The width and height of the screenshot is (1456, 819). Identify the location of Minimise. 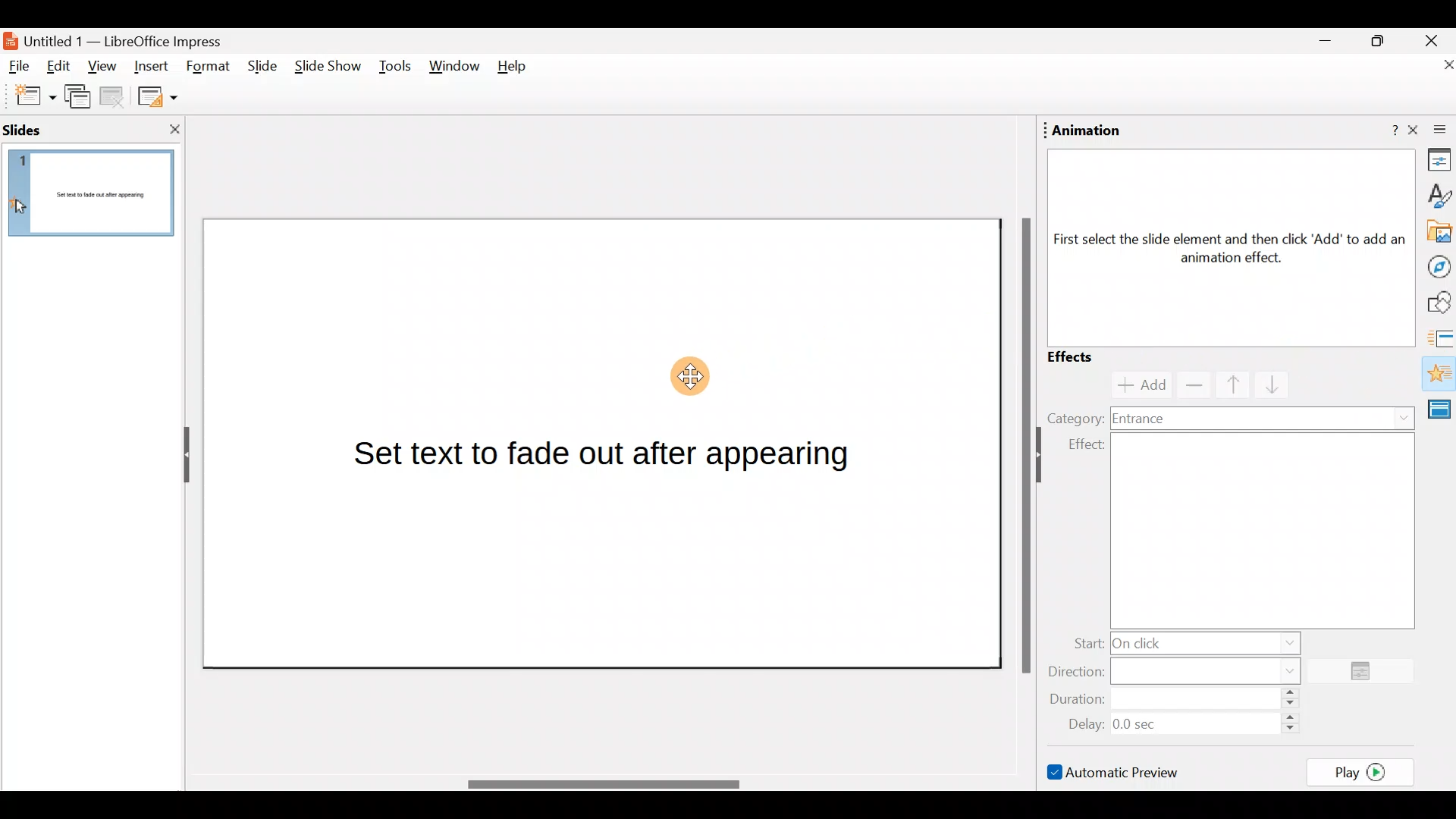
(1323, 45).